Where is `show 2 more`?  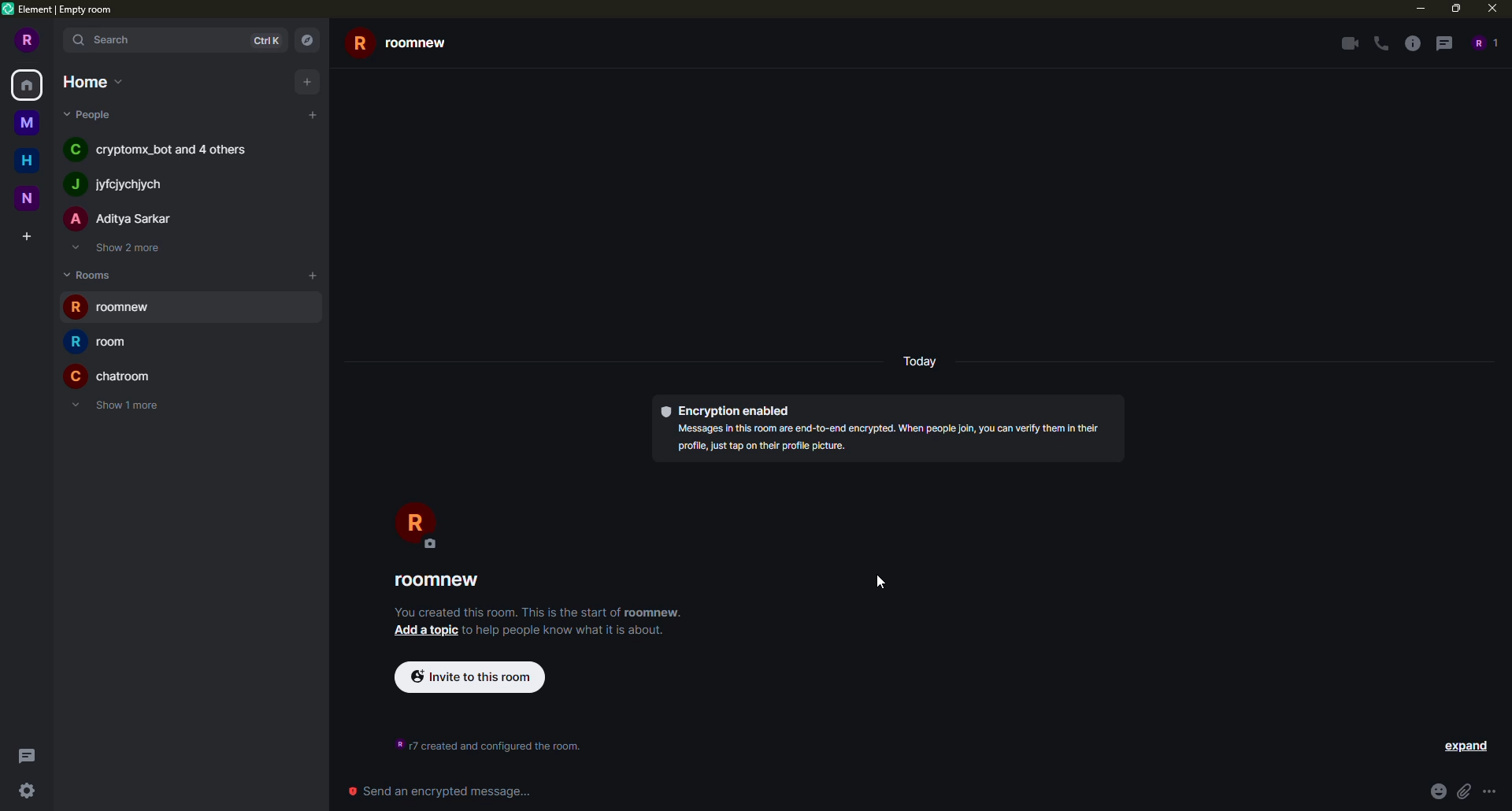 show 2 more is located at coordinates (123, 247).